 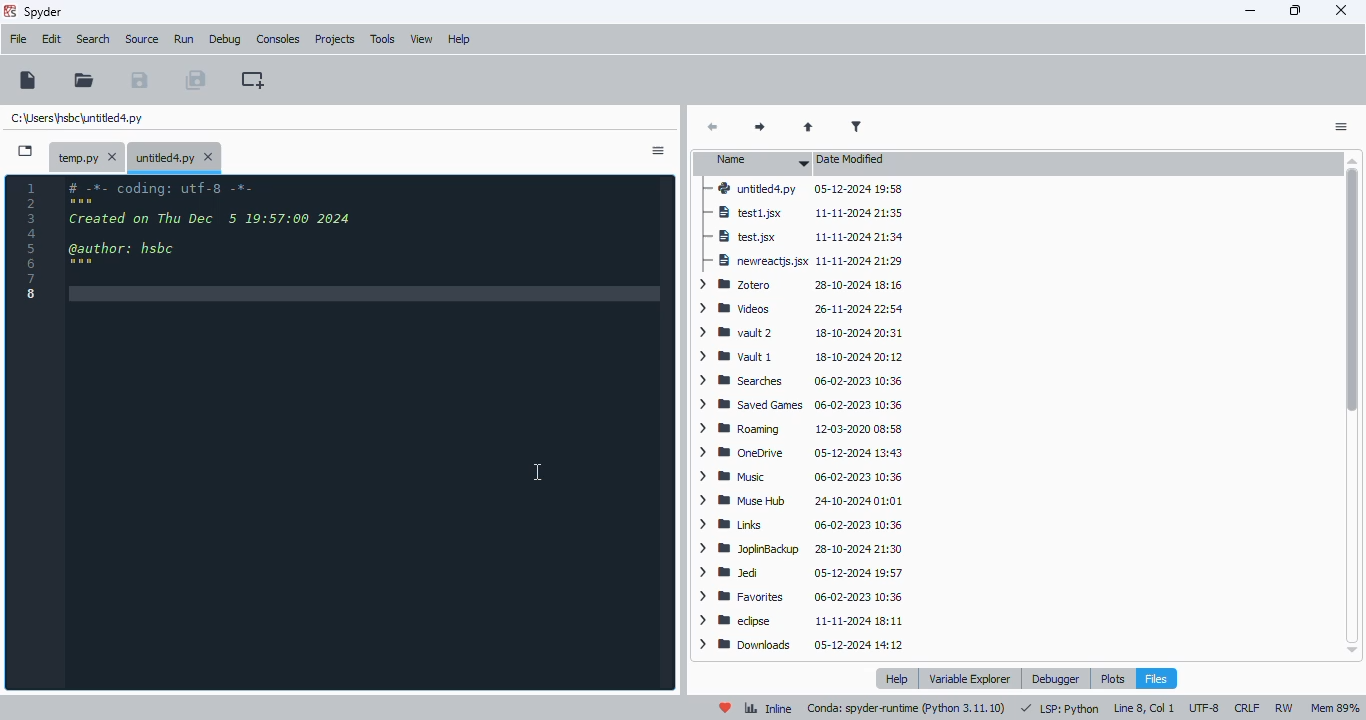 What do you see at coordinates (742, 237) in the screenshot?
I see `test.jsx` at bounding box center [742, 237].